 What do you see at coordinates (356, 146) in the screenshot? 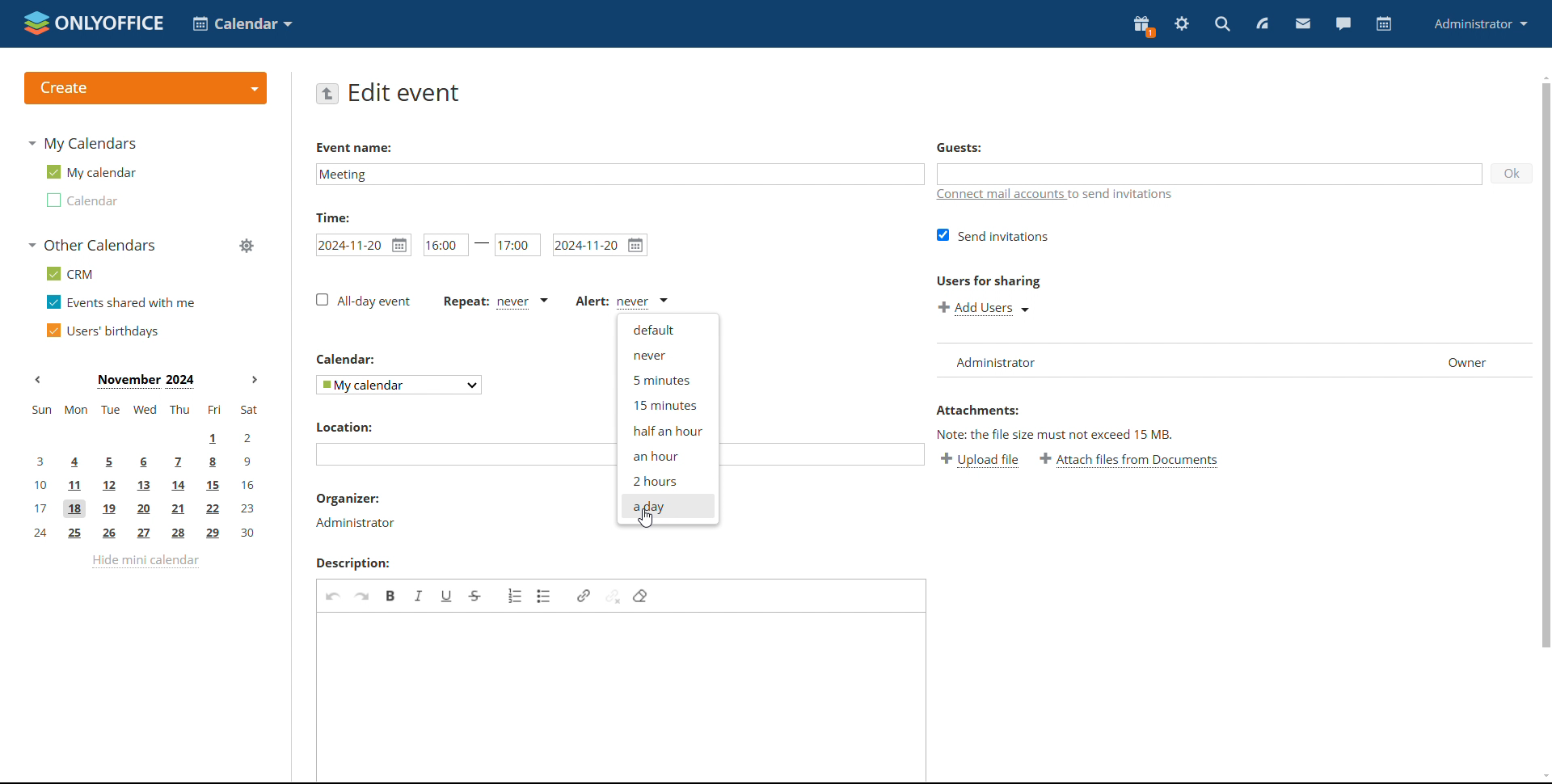
I see `Event name` at bounding box center [356, 146].